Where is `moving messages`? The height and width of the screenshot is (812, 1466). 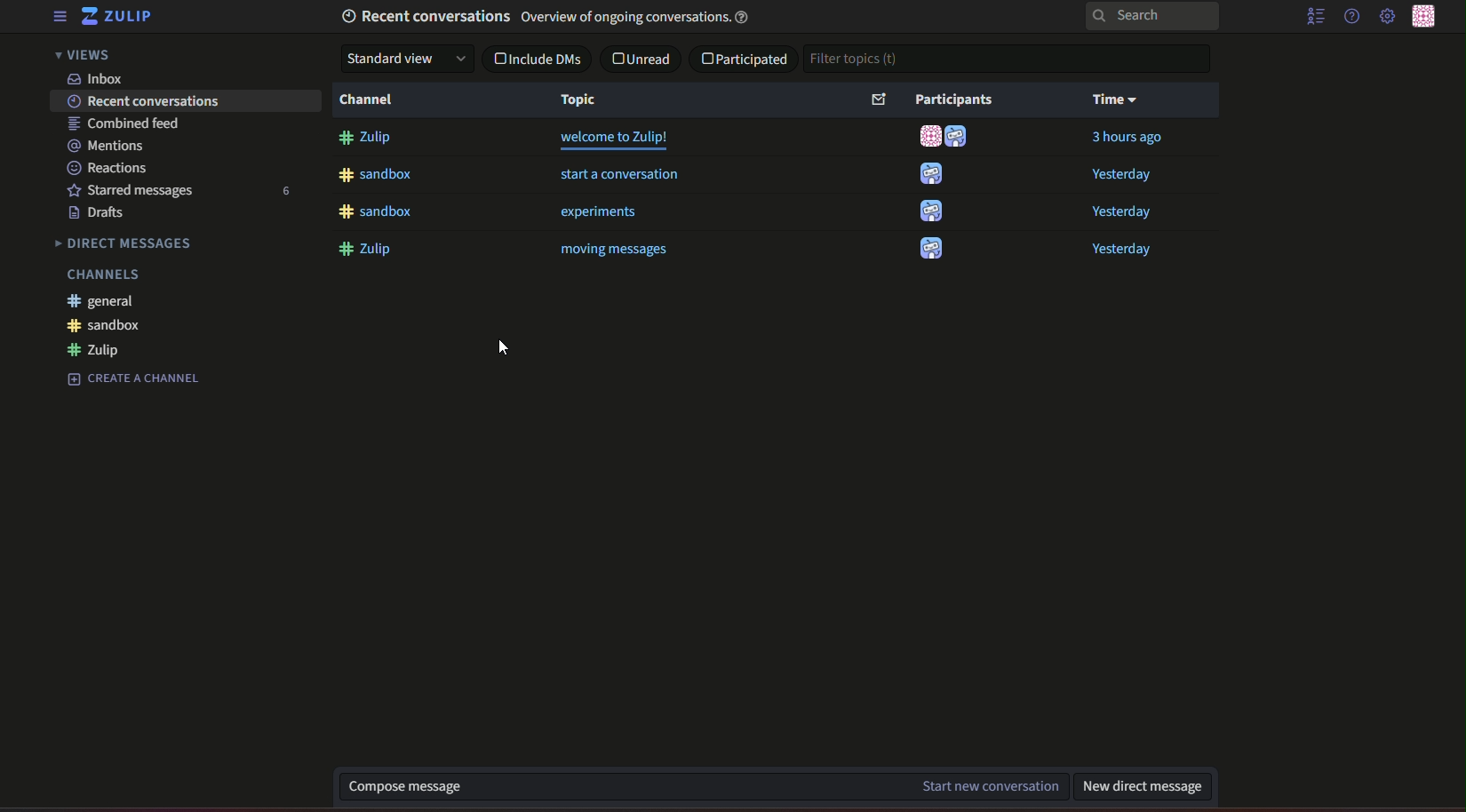 moving messages is located at coordinates (614, 252).